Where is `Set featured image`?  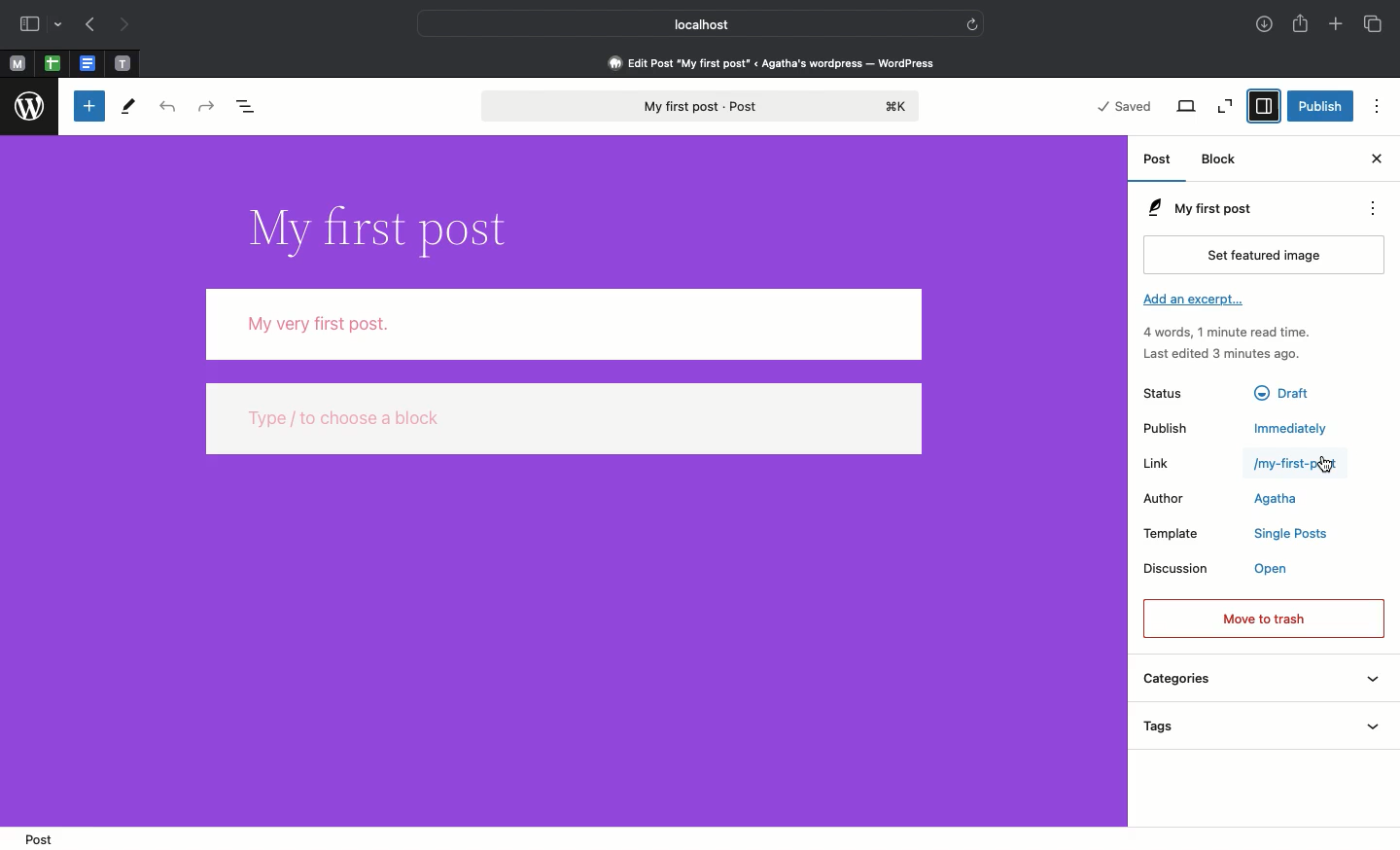
Set featured image is located at coordinates (1264, 254).